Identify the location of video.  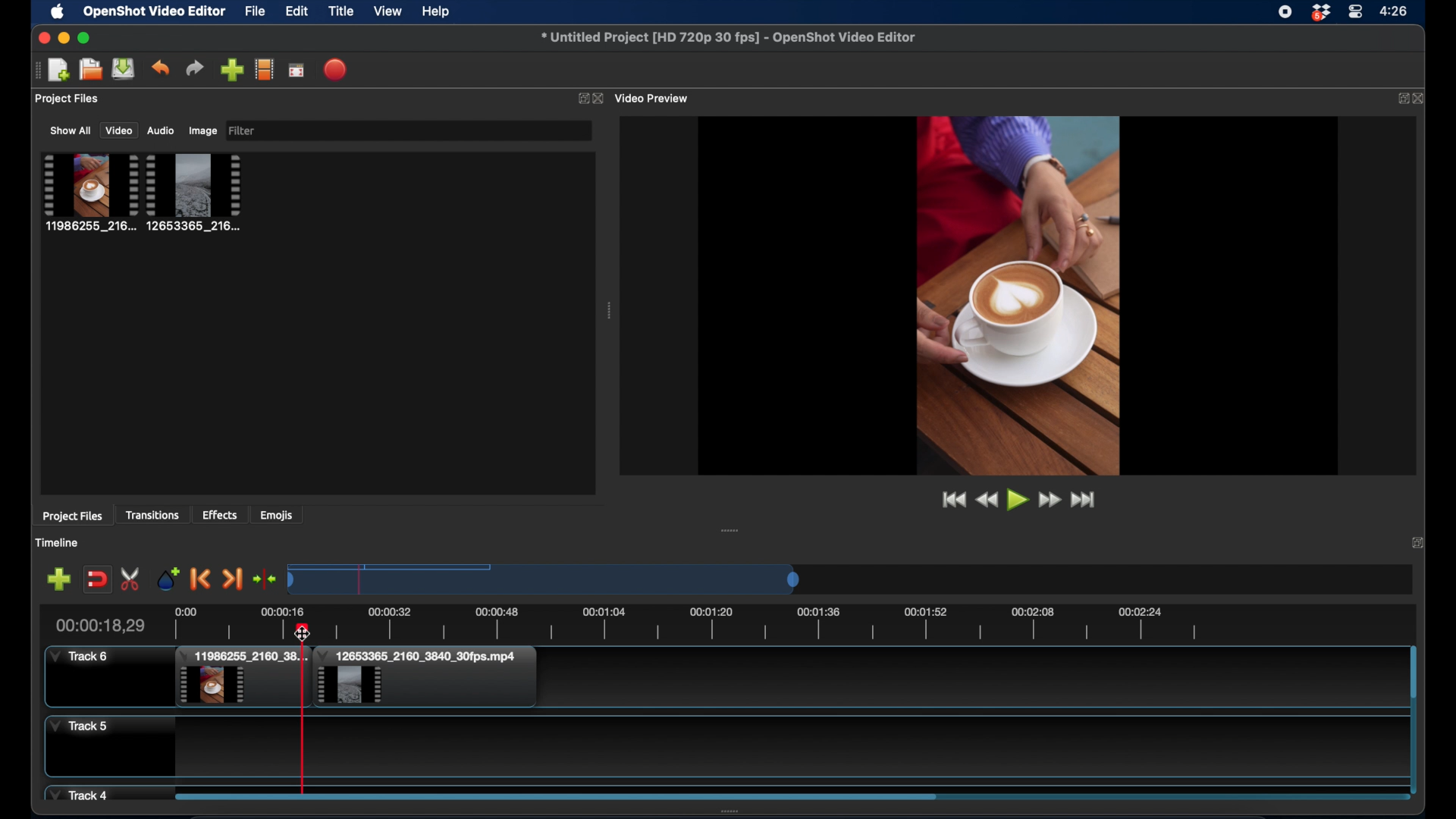
(118, 130).